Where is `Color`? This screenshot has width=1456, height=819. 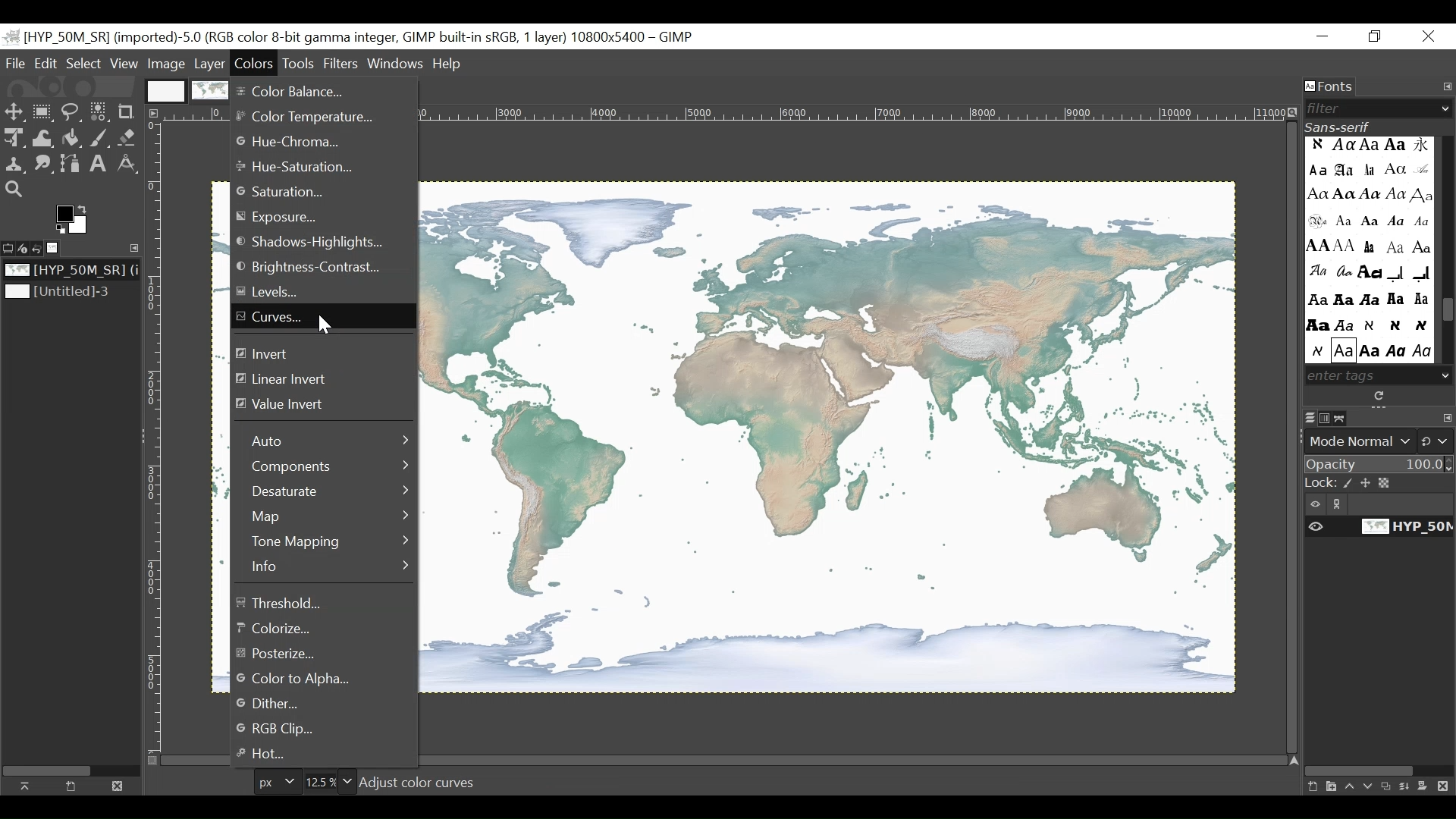 Color is located at coordinates (249, 65).